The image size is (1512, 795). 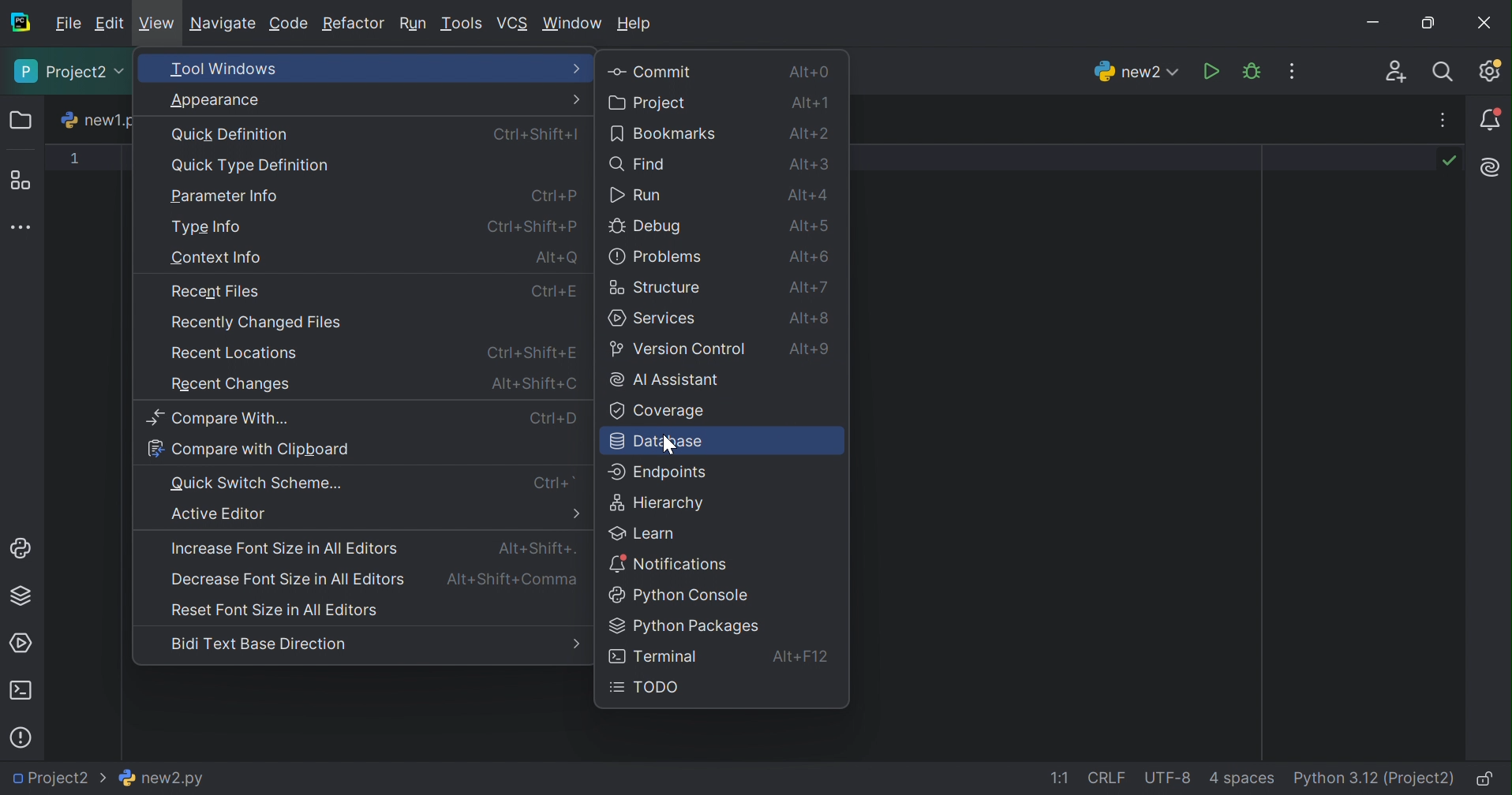 What do you see at coordinates (812, 162) in the screenshot?
I see `Alt+3` at bounding box center [812, 162].